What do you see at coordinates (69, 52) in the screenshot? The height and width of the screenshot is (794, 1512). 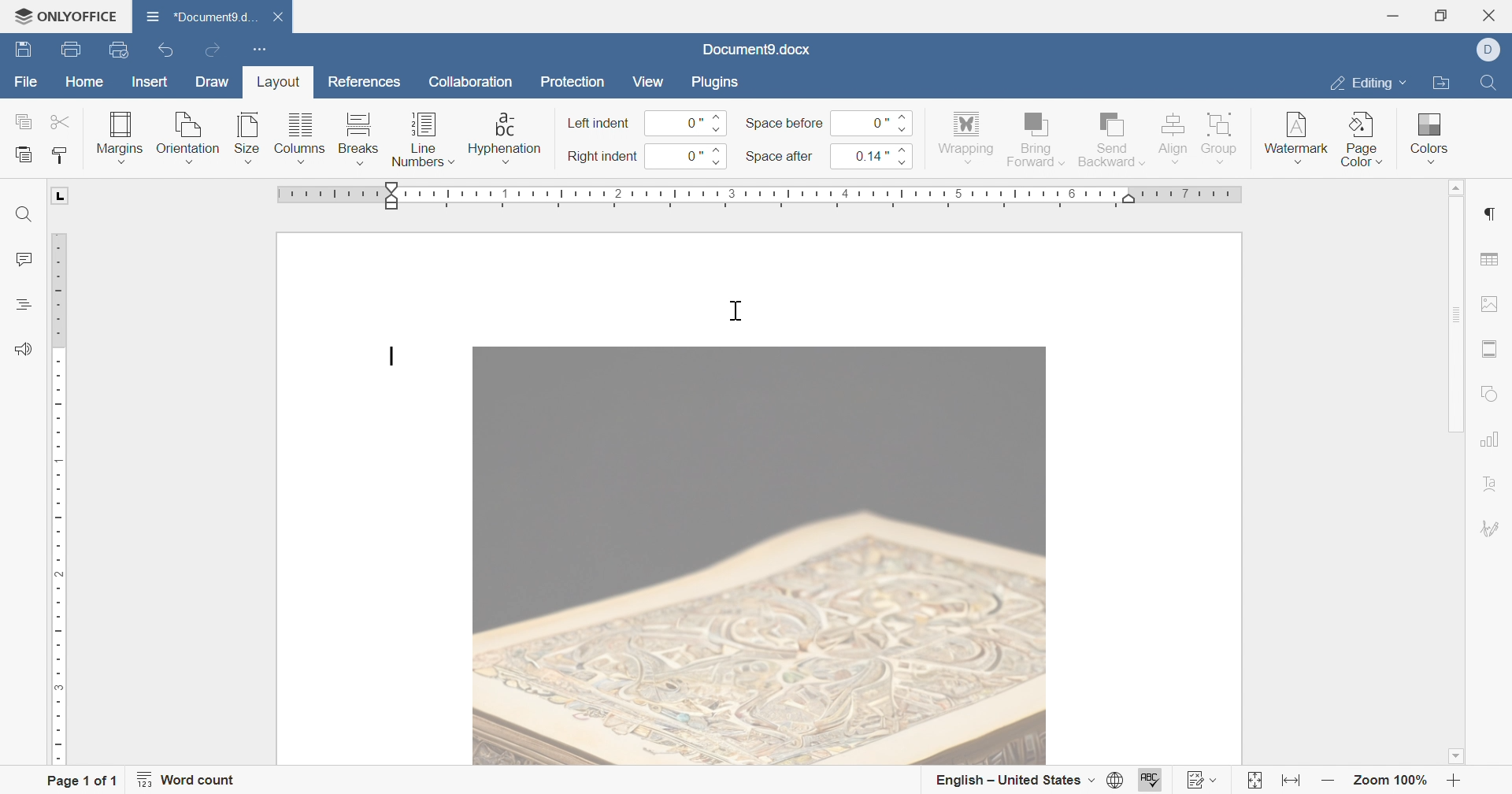 I see `print` at bounding box center [69, 52].